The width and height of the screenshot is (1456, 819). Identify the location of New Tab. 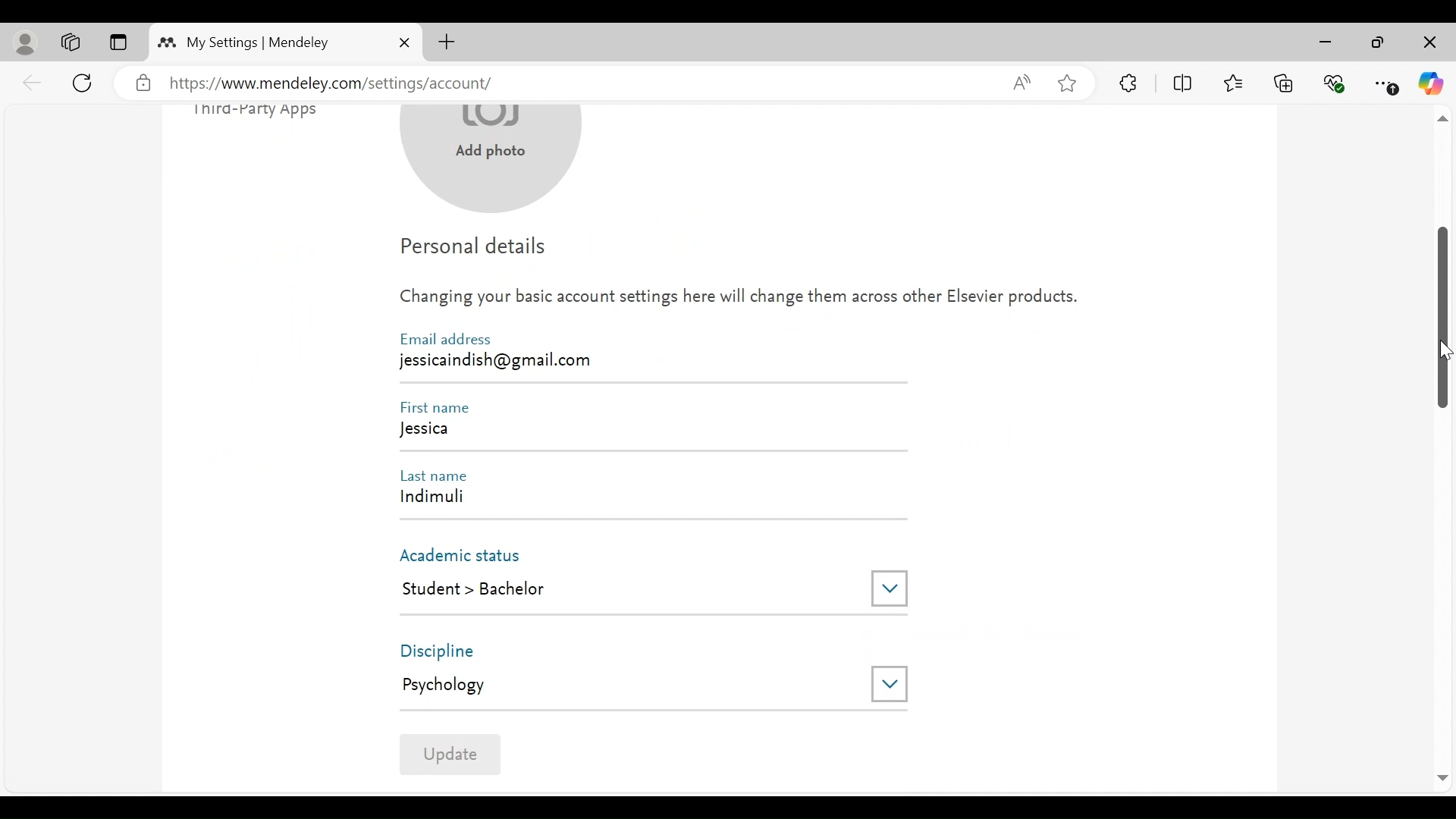
(447, 42).